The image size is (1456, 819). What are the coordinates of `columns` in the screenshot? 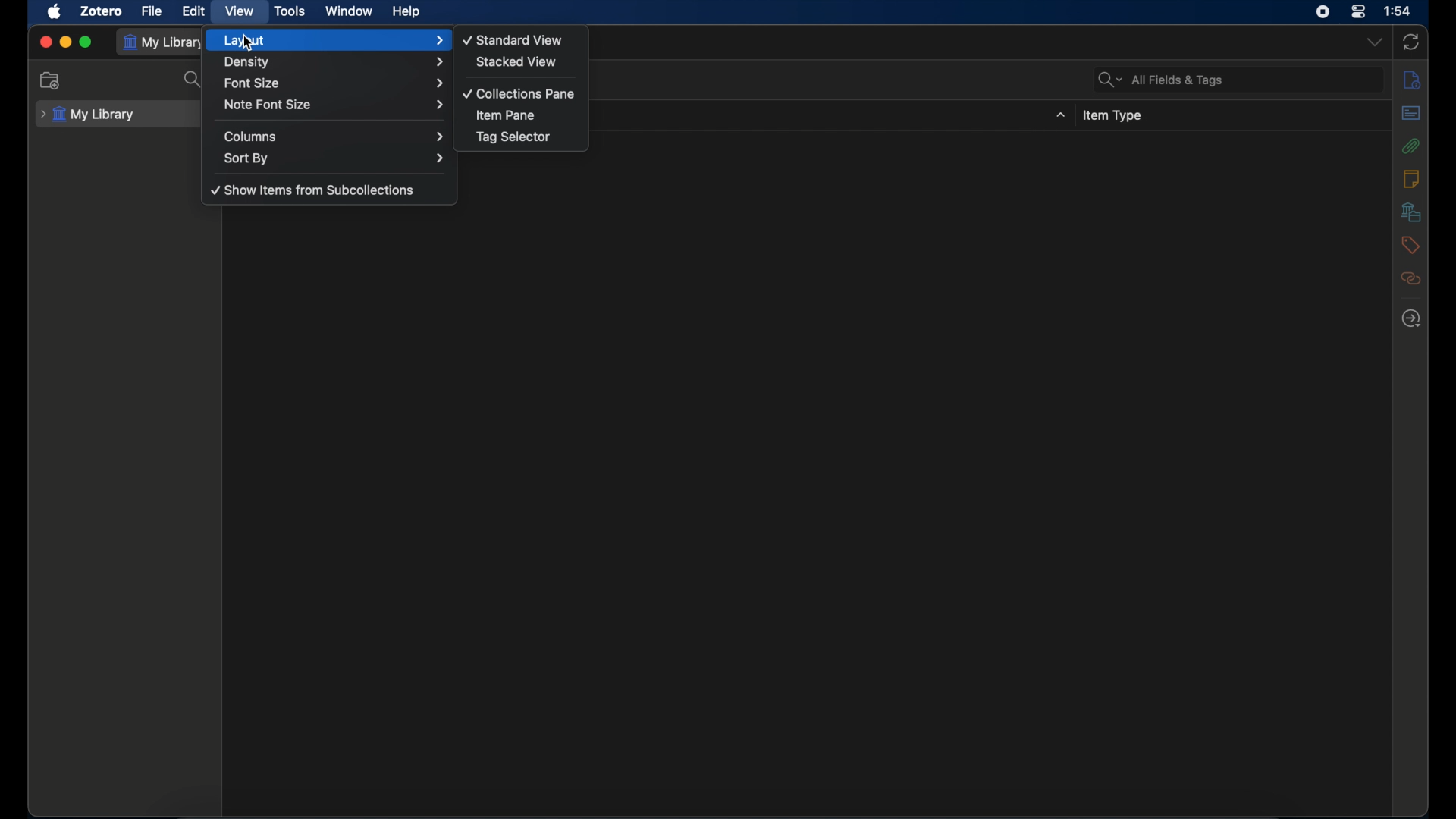 It's located at (336, 136).